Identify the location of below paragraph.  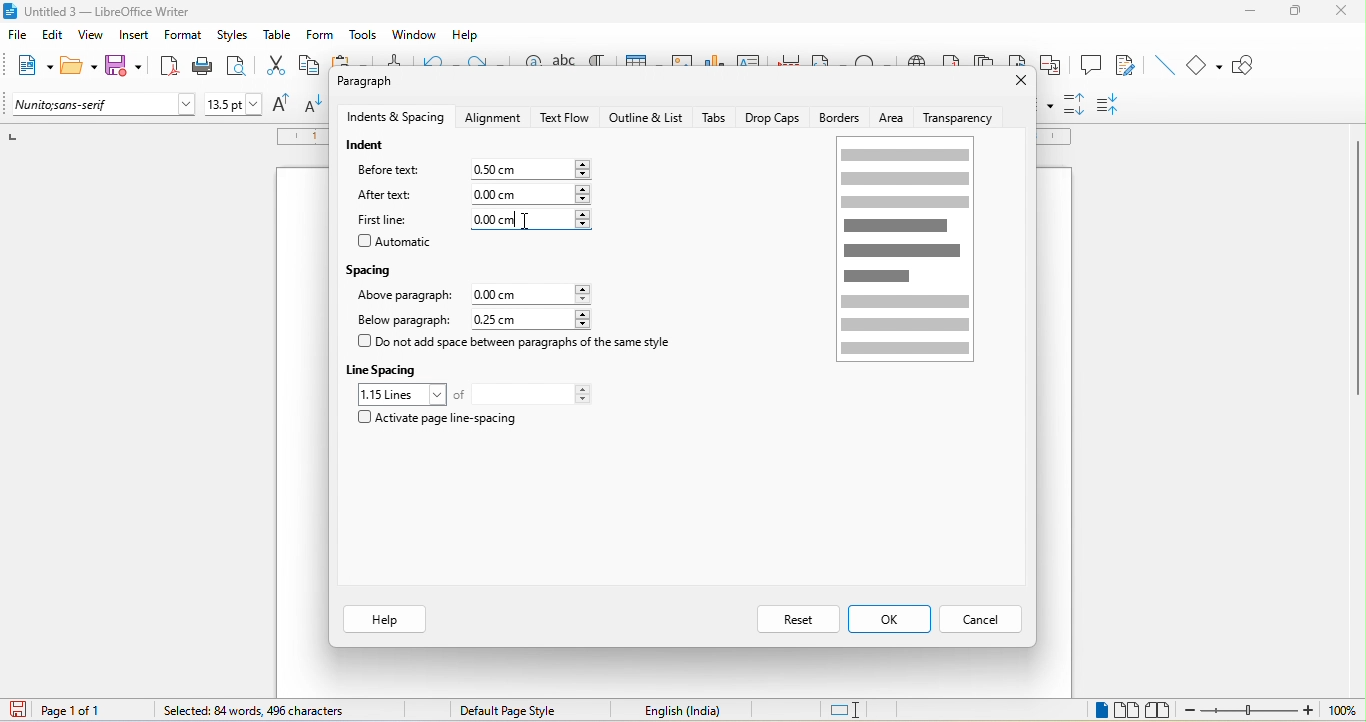
(405, 322).